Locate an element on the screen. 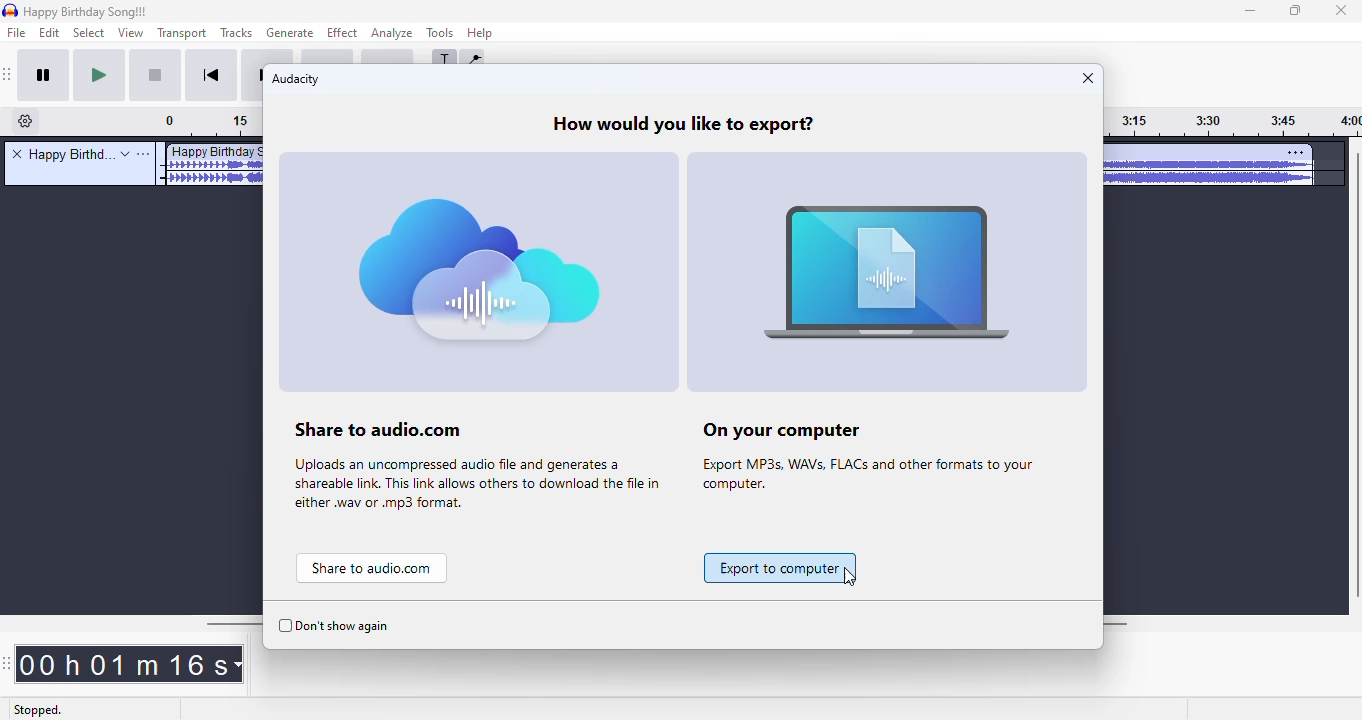 Image resolution: width=1362 pixels, height=720 pixels. audio track is located at coordinates (210, 164).